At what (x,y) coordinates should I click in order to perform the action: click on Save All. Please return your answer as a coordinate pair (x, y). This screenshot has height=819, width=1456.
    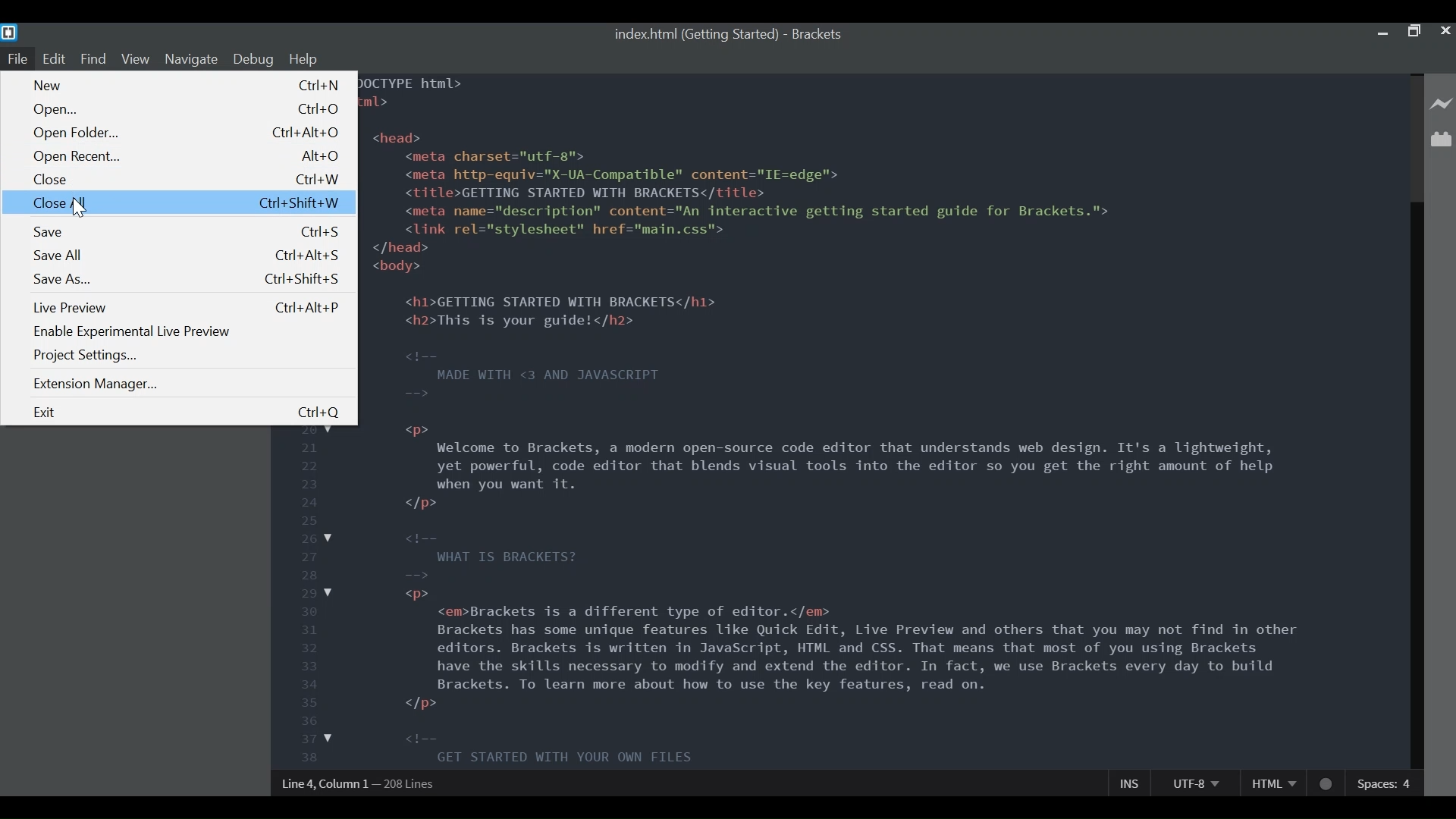
    Looking at the image, I should click on (186, 257).